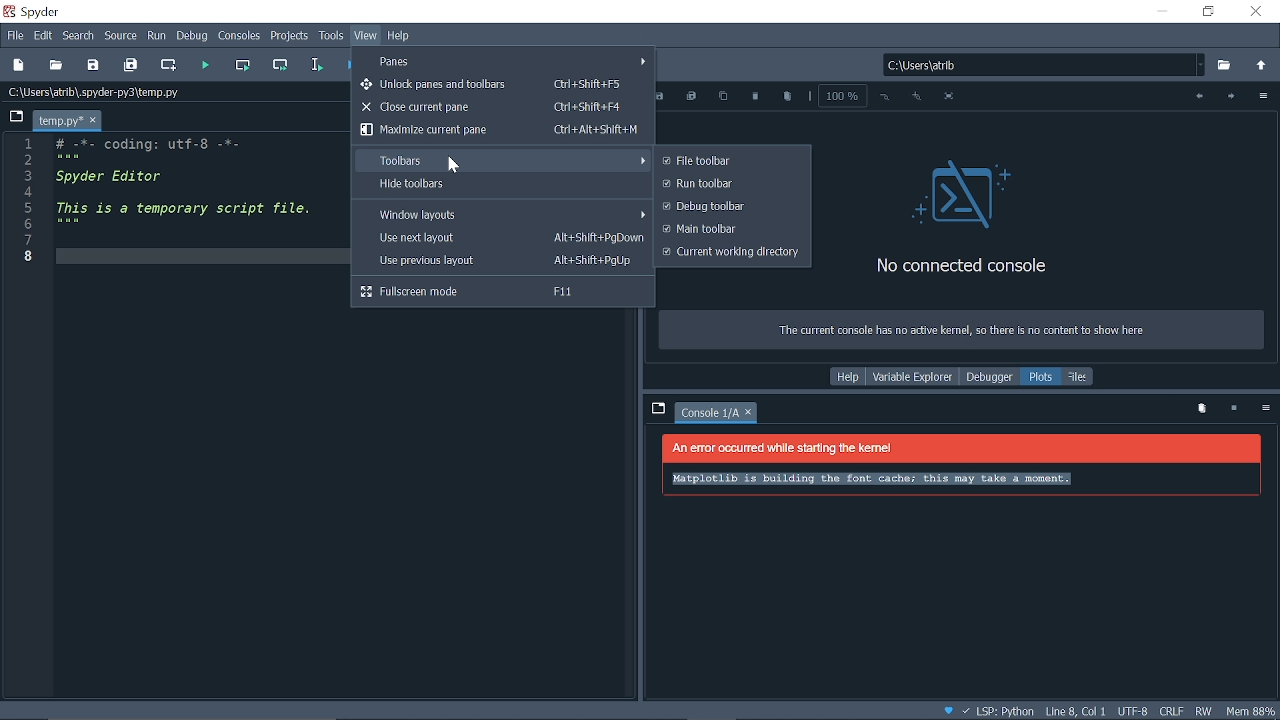 The height and width of the screenshot is (720, 1280). I want to click on Debugger, so click(988, 377).